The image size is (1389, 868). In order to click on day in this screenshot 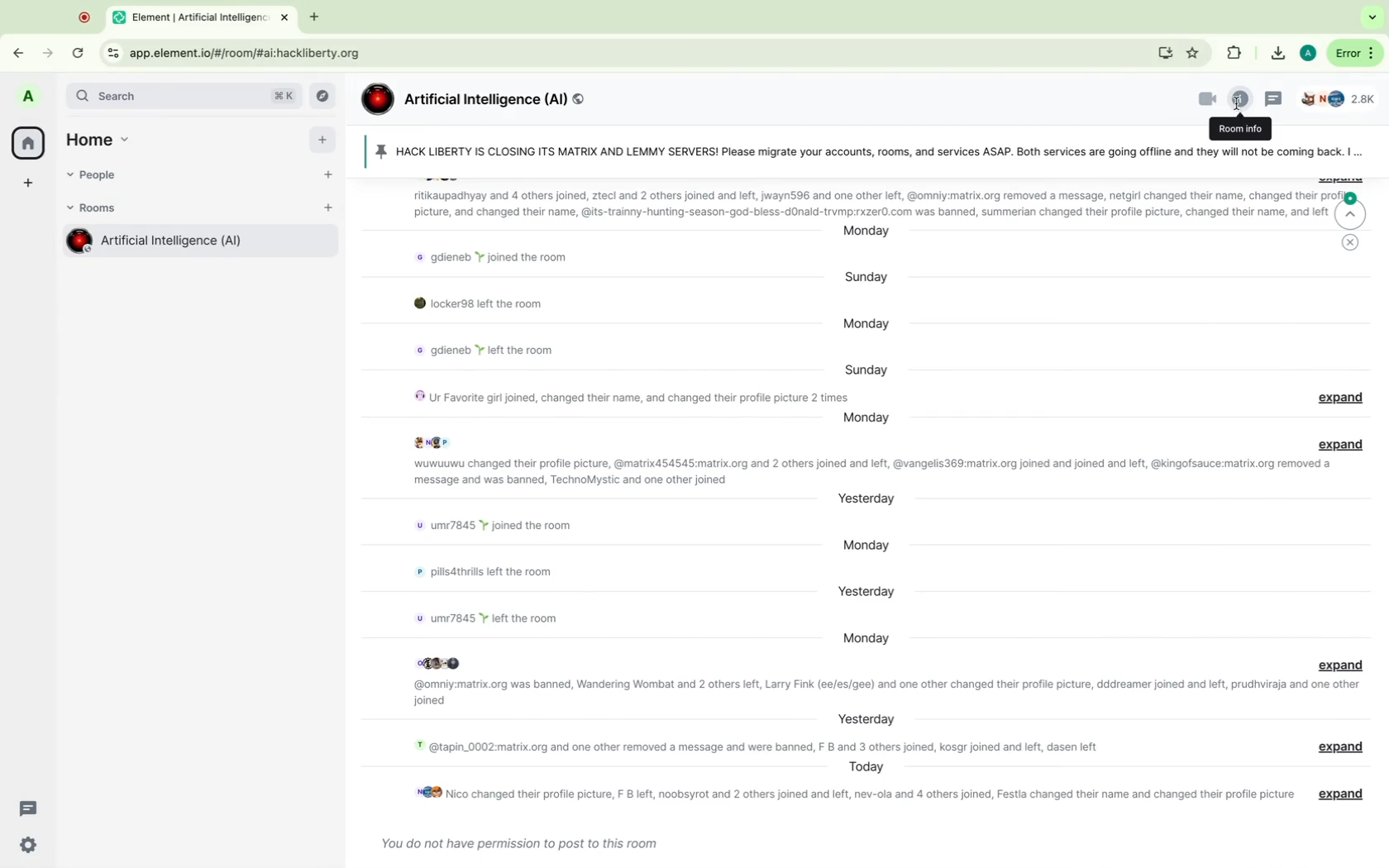, I will do `click(868, 767)`.